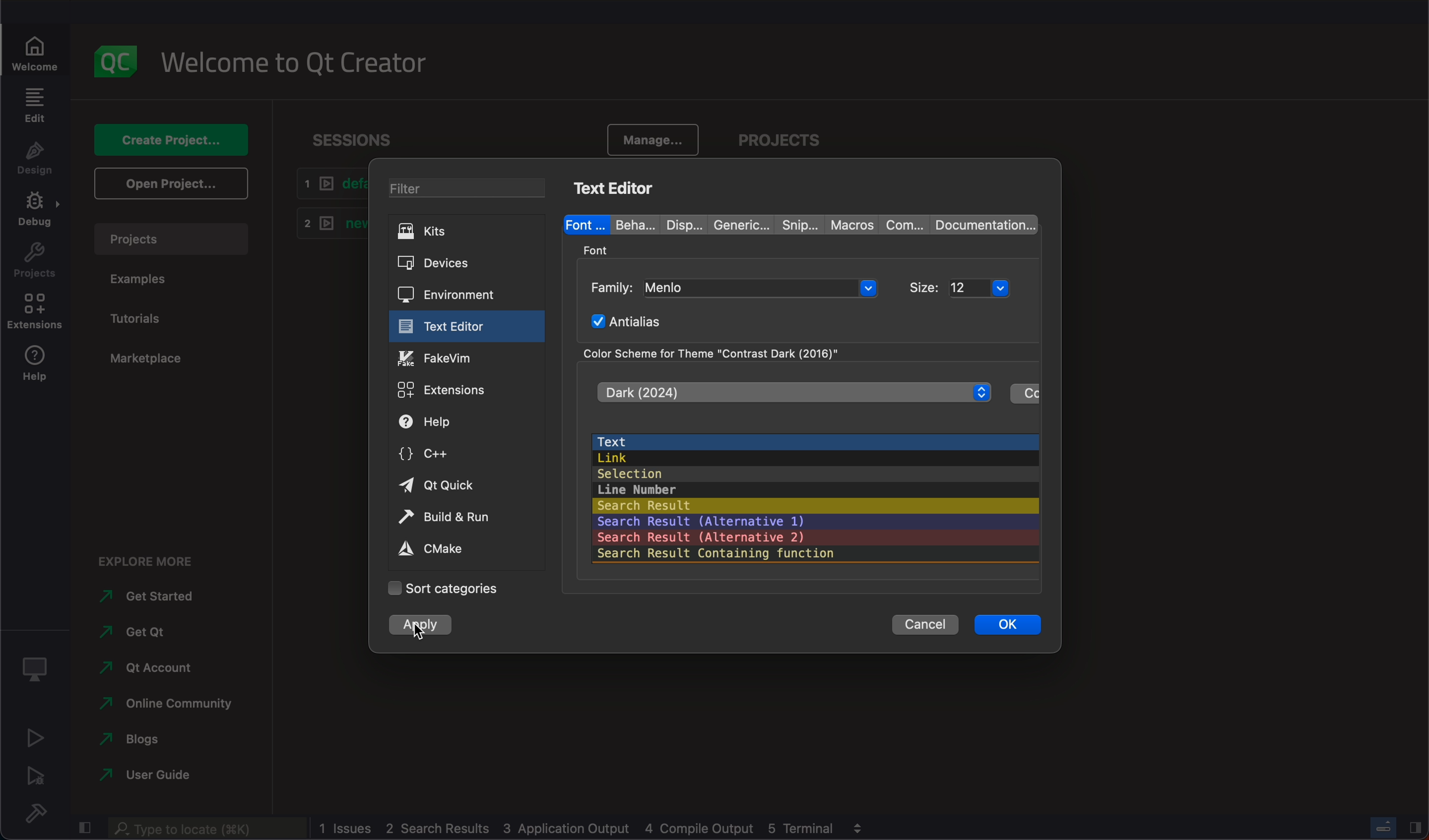 Image resolution: width=1429 pixels, height=840 pixels. What do you see at coordinates (463, 326) in the screenshot?
I see `text editor` at bounding box center [463, 326].